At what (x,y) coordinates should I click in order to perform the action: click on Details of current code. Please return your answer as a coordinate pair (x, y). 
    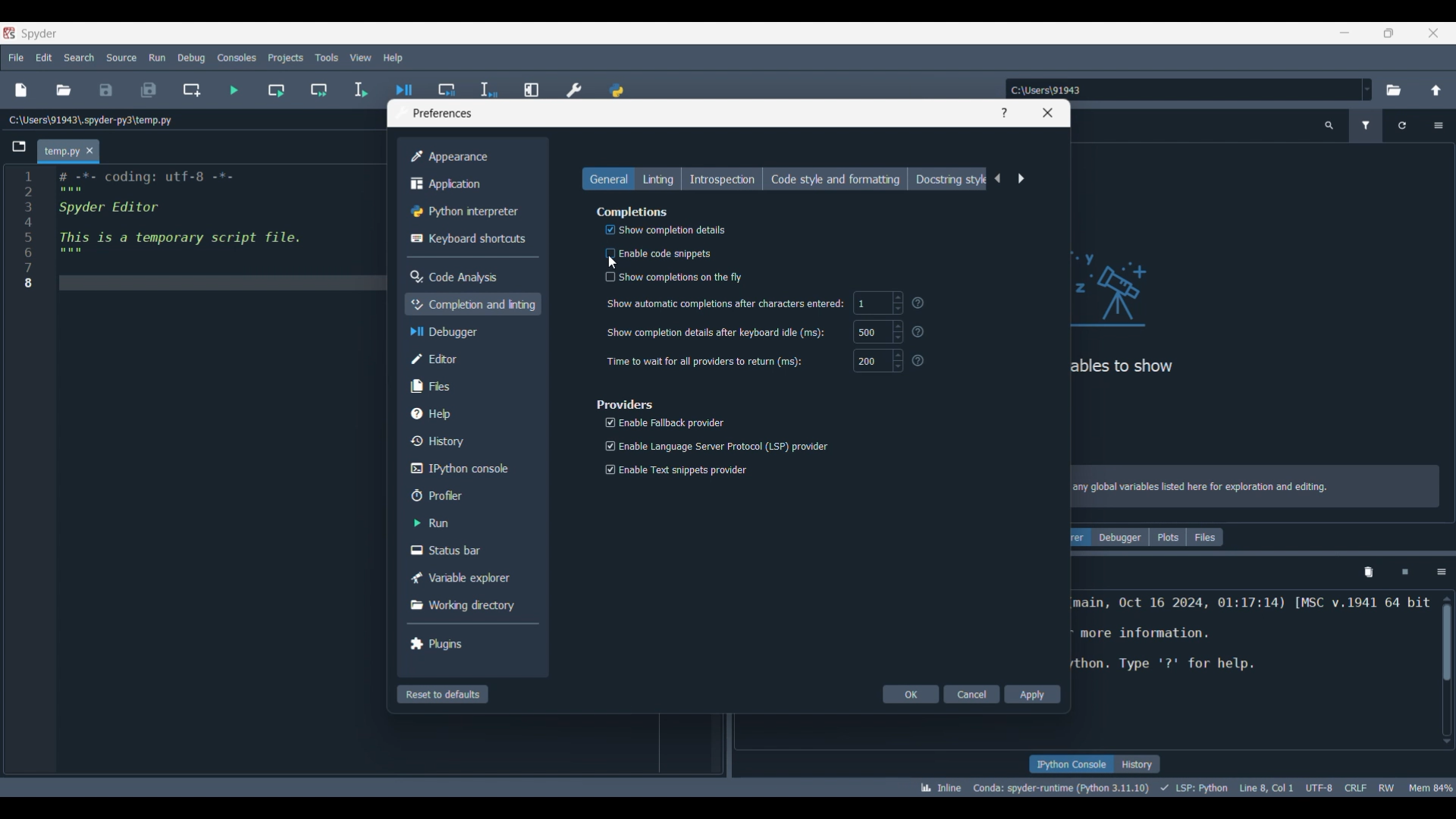
    Looking at the image, I should click on (1185, 787).